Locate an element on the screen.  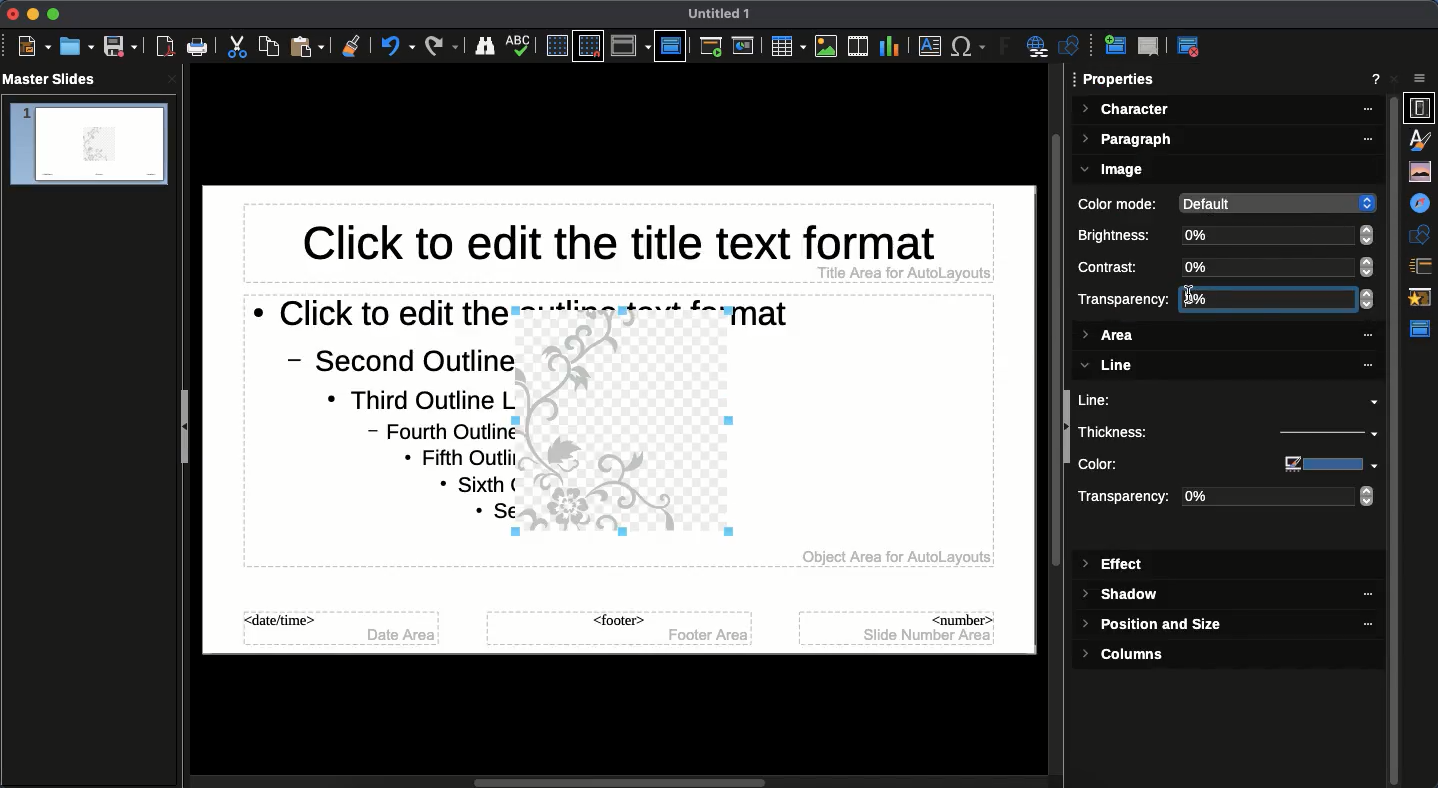
Properties is located at coordinates (1419, 108).